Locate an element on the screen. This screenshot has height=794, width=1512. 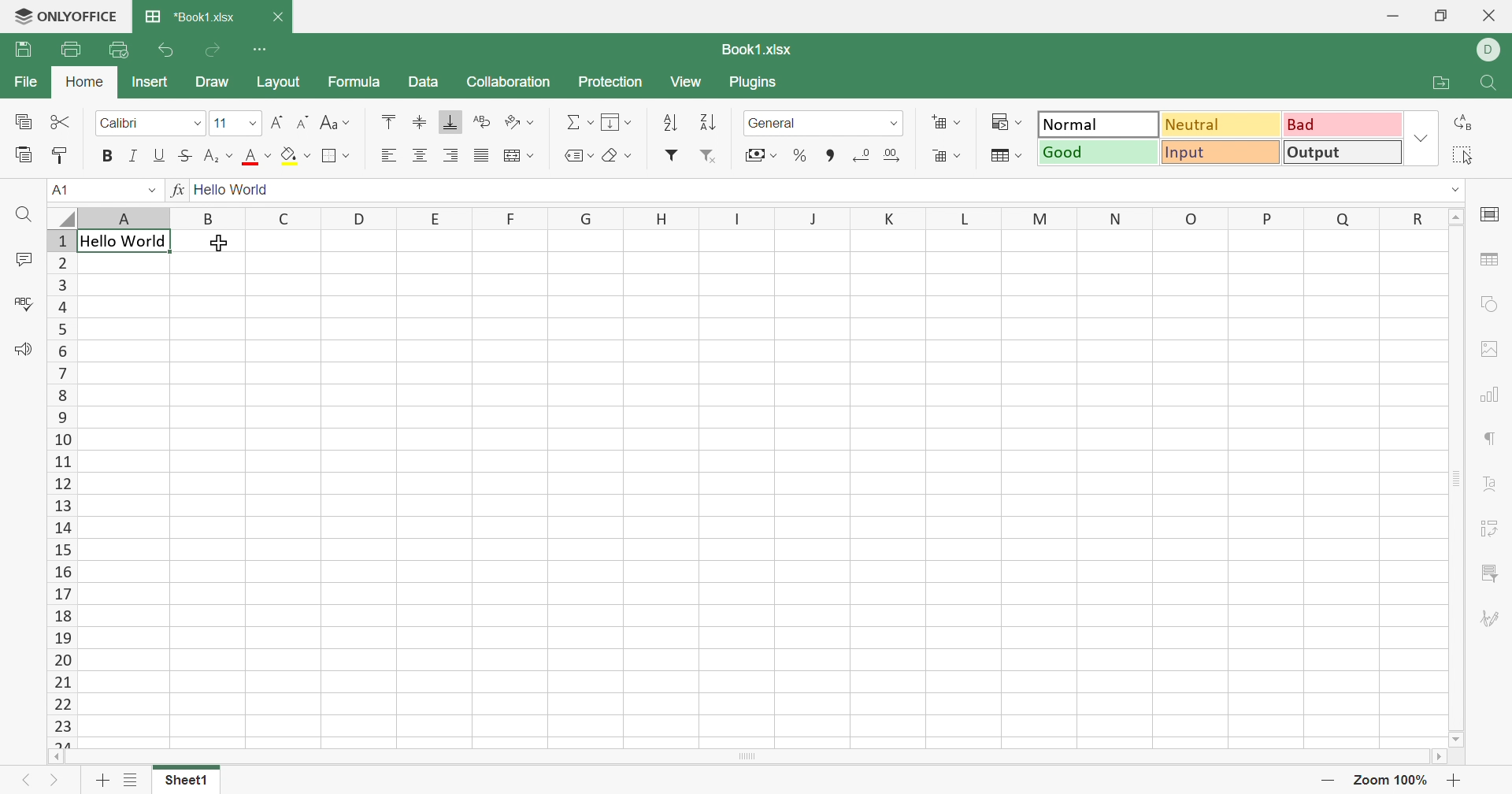
Close is located at coordinates (279, 19).